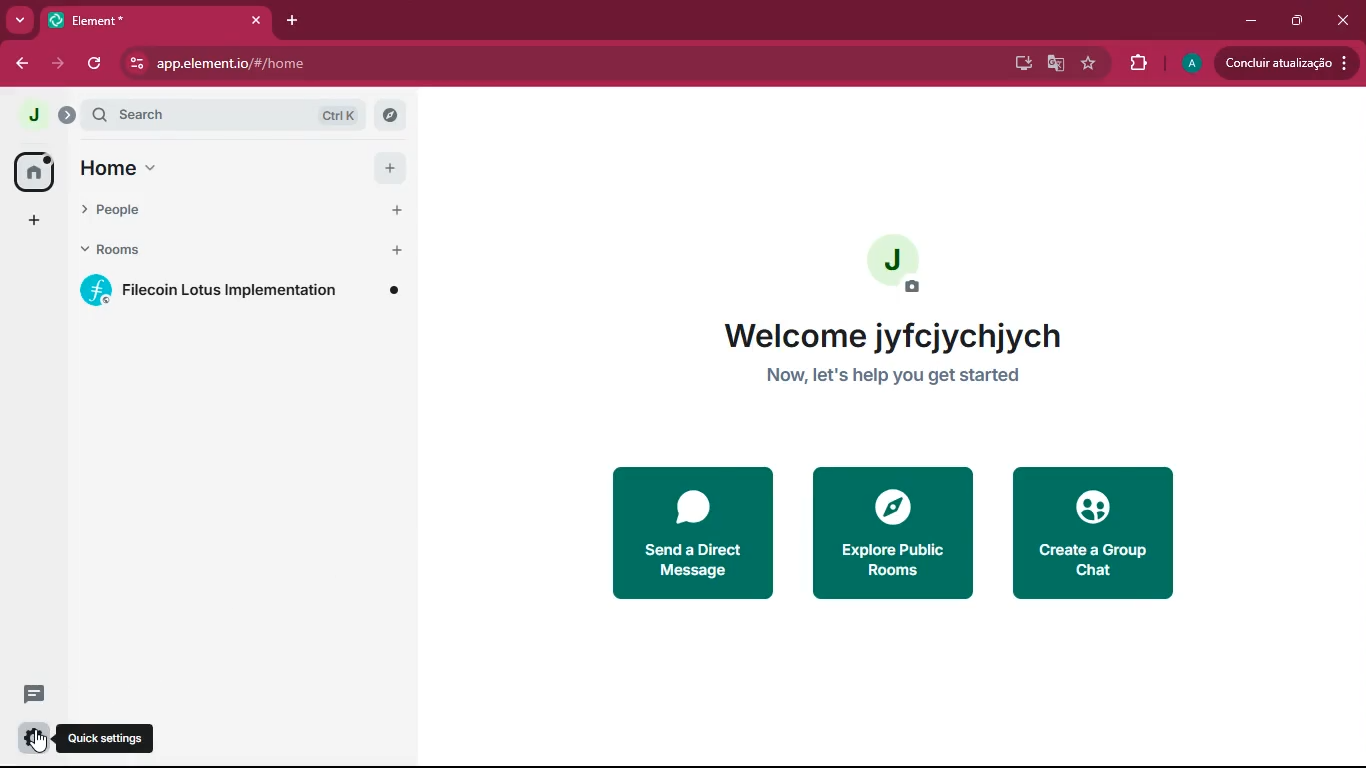 This screenshot has width=1366, height=768. What do you see at coordinates (1054, 64) in the screenshot?
I see `google translate` at bounding box center [1054, 64].